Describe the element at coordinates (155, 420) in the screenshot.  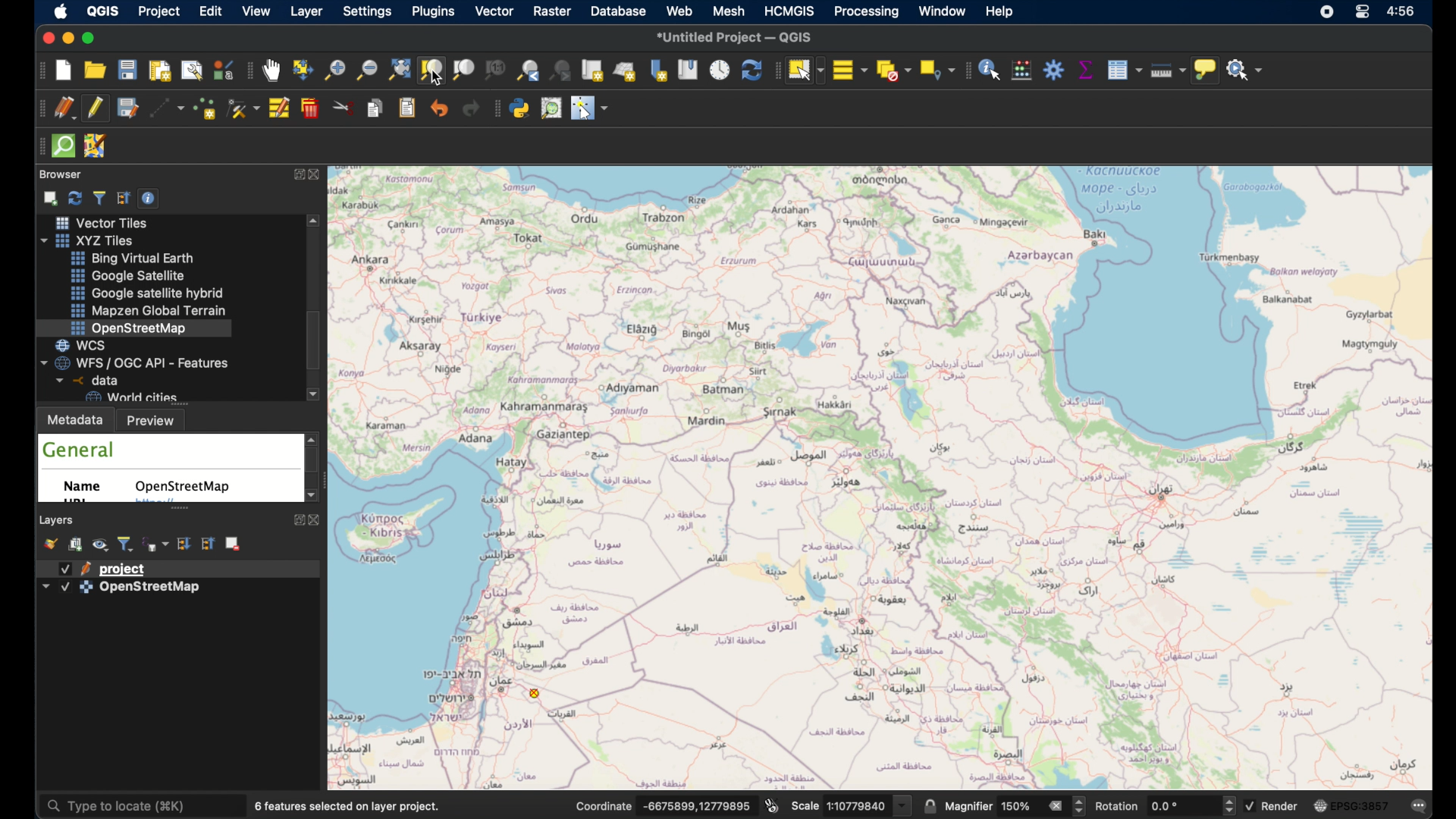
I see `preview` at that location.